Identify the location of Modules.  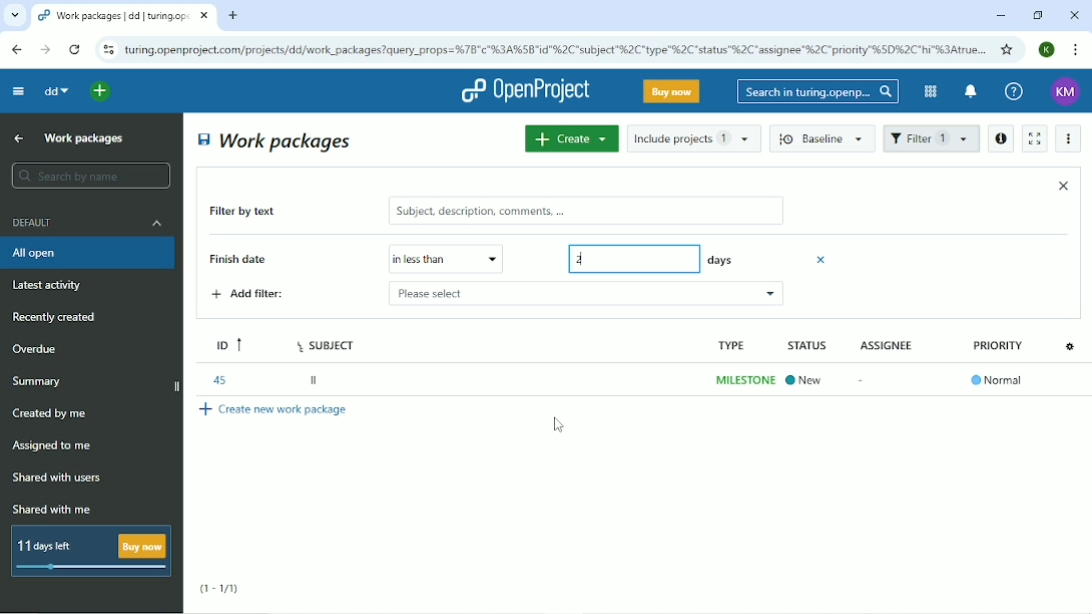
(928, 91).